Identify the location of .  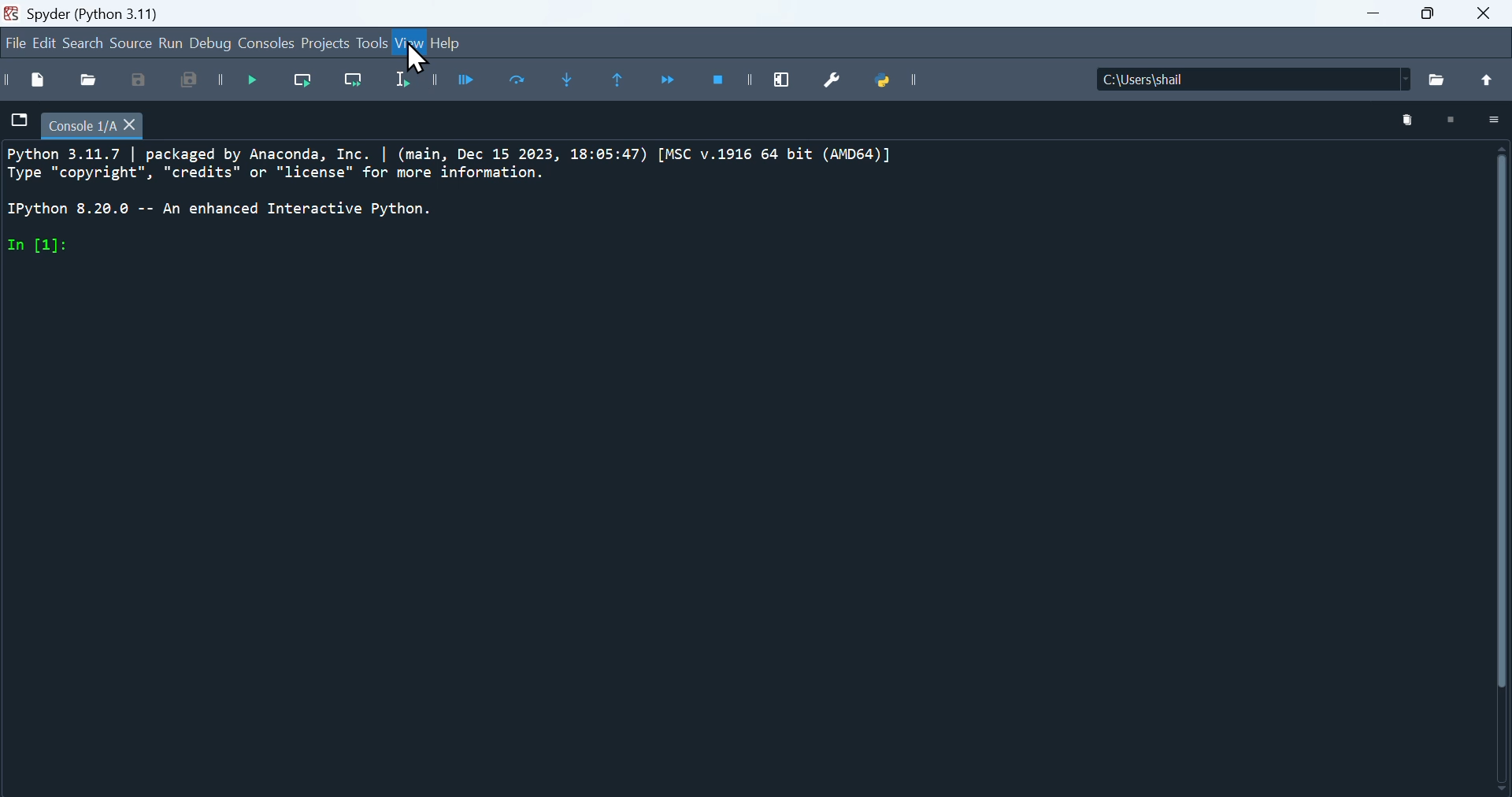
(13, 44).